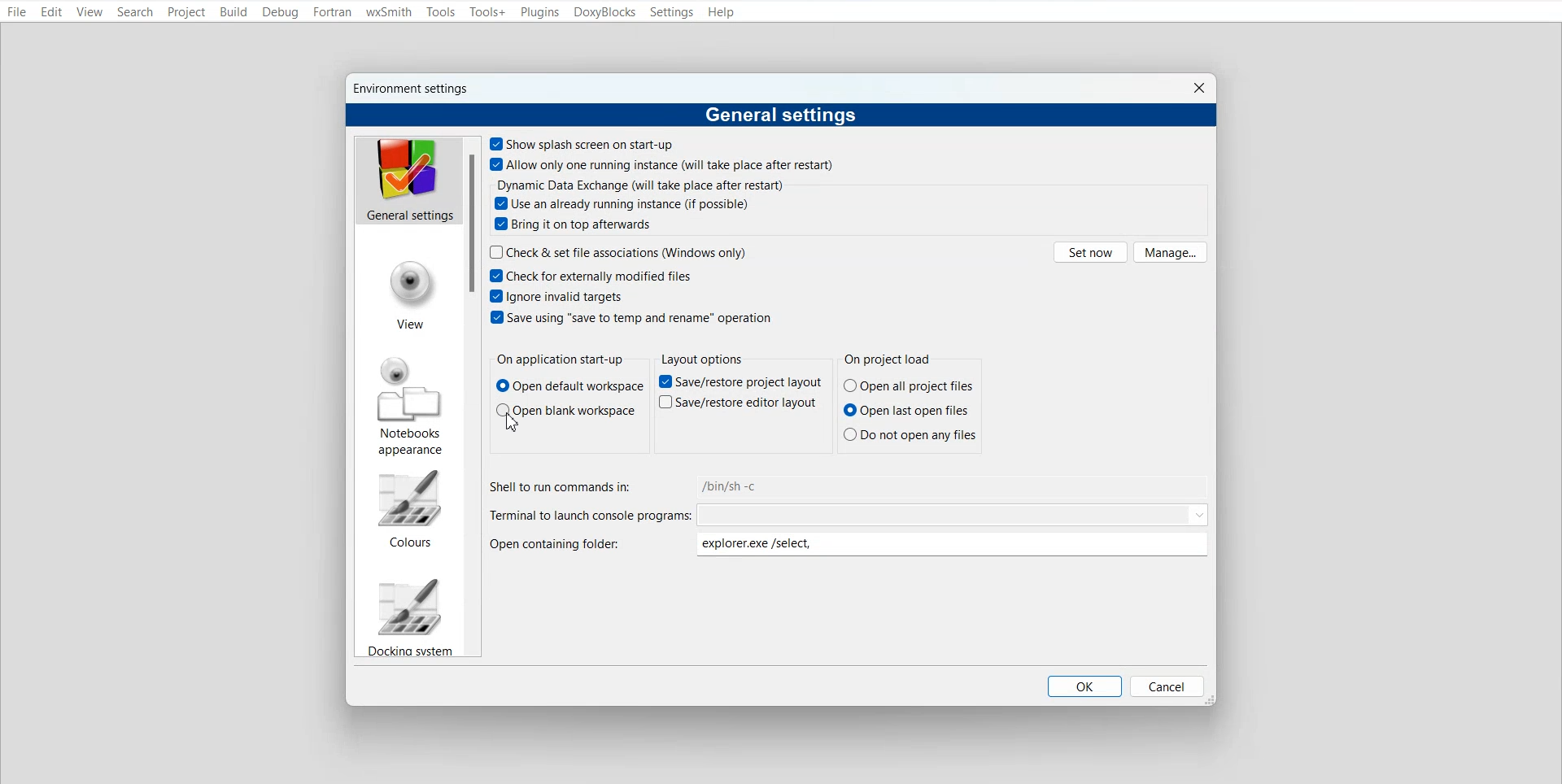 The image size is (1562, 784). What do you see at coordinates (570, 386) in the screenshot?
I see `Open default workspace` at bounding box center [570, 386].